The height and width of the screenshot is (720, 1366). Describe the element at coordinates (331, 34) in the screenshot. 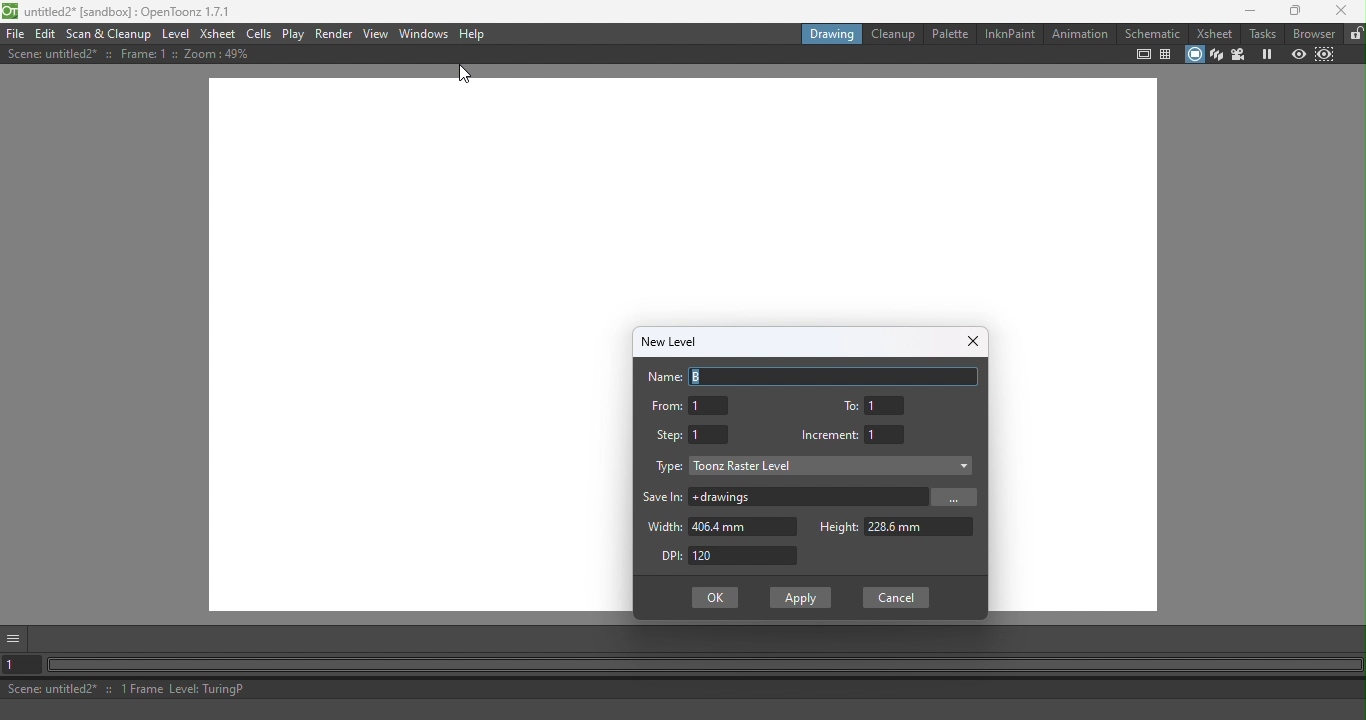

I see `Render` at that location.